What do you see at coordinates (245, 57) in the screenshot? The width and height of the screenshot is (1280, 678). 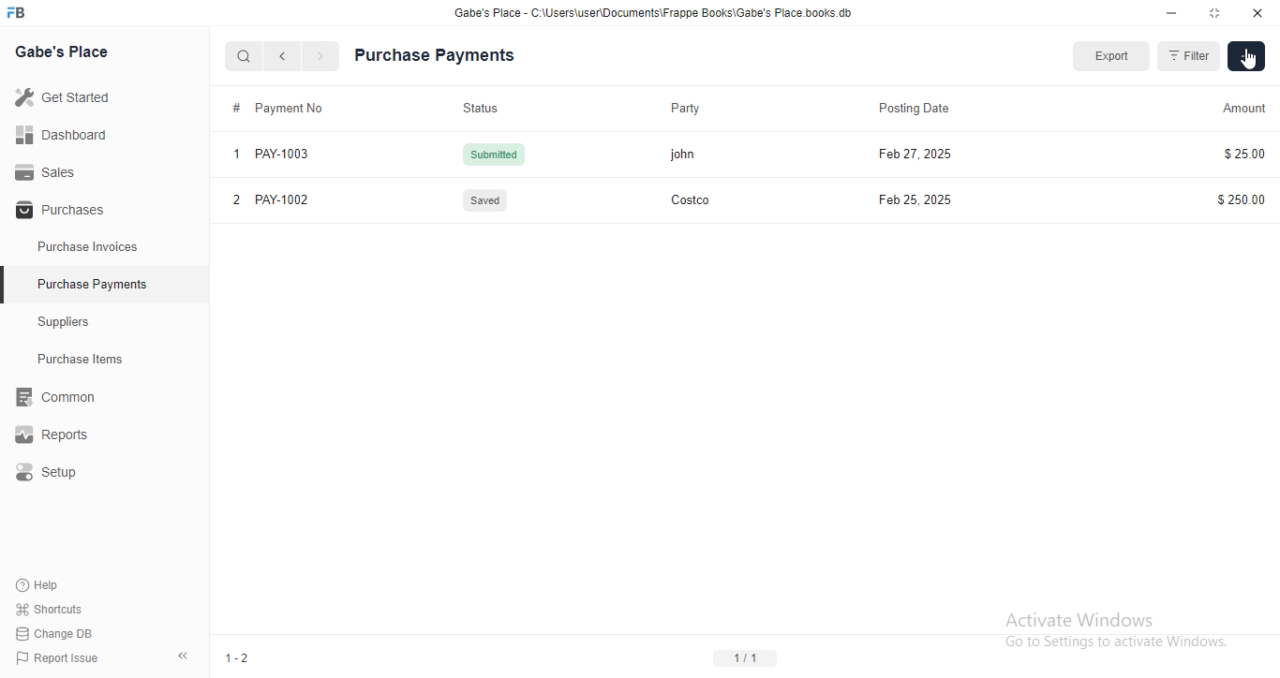 I see `search` at bounding box center [245, 57].